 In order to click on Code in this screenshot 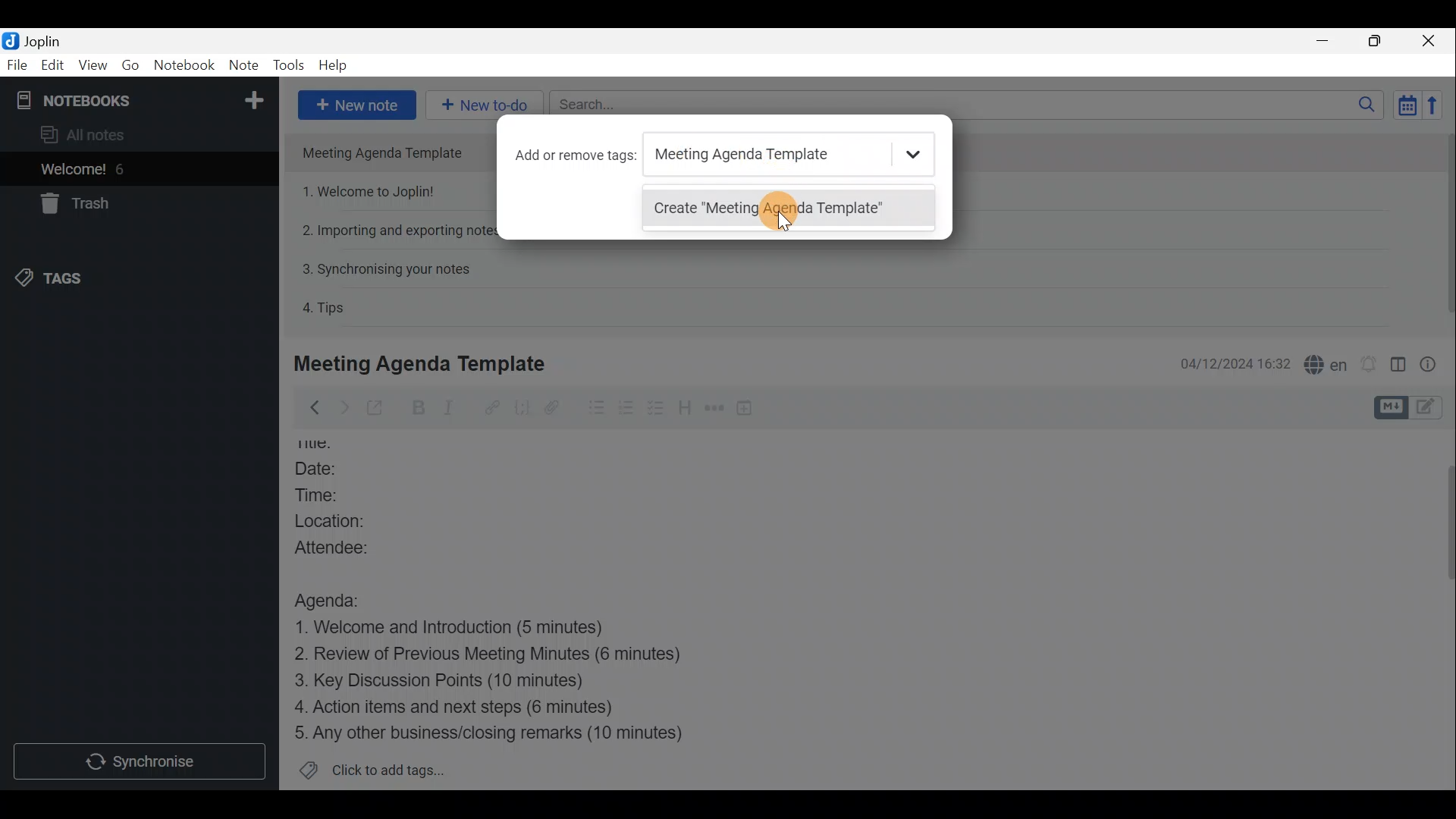, I will do `click(524, 410)`.